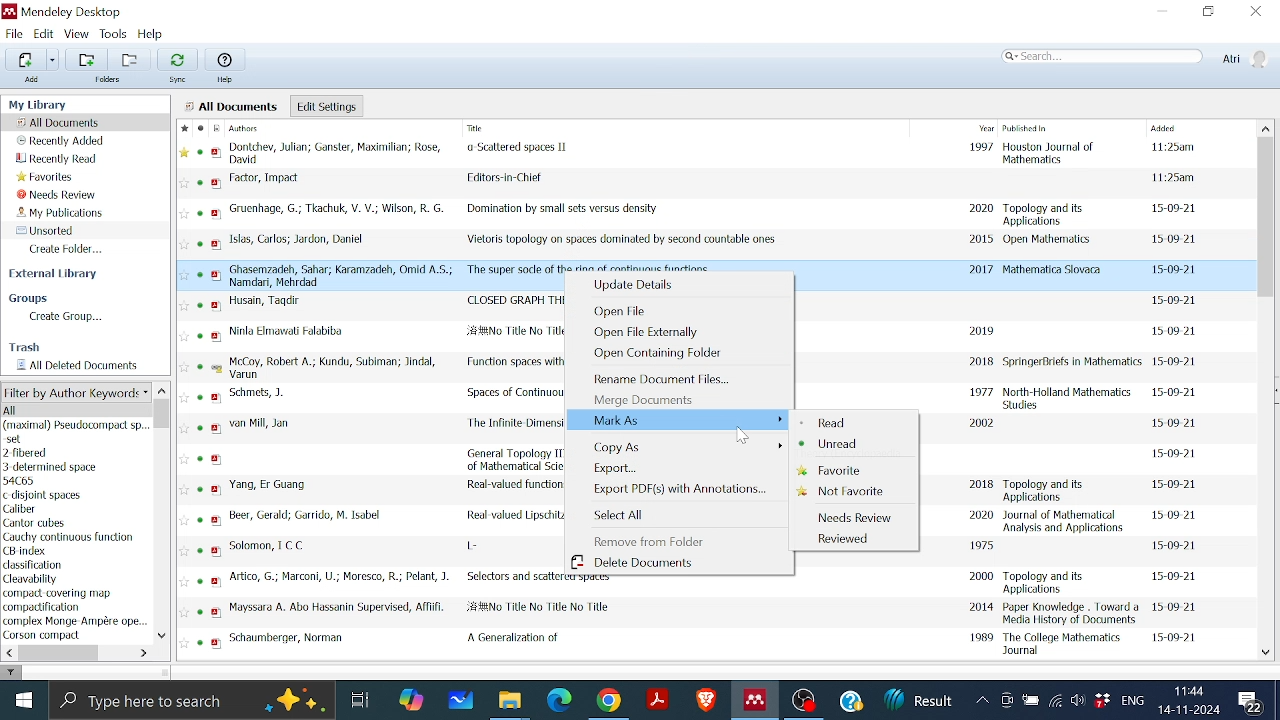 The image size is (1280, 720). Describe the element at coordinates (414, 699) in the screenshot. I see `Copilot` at that location.